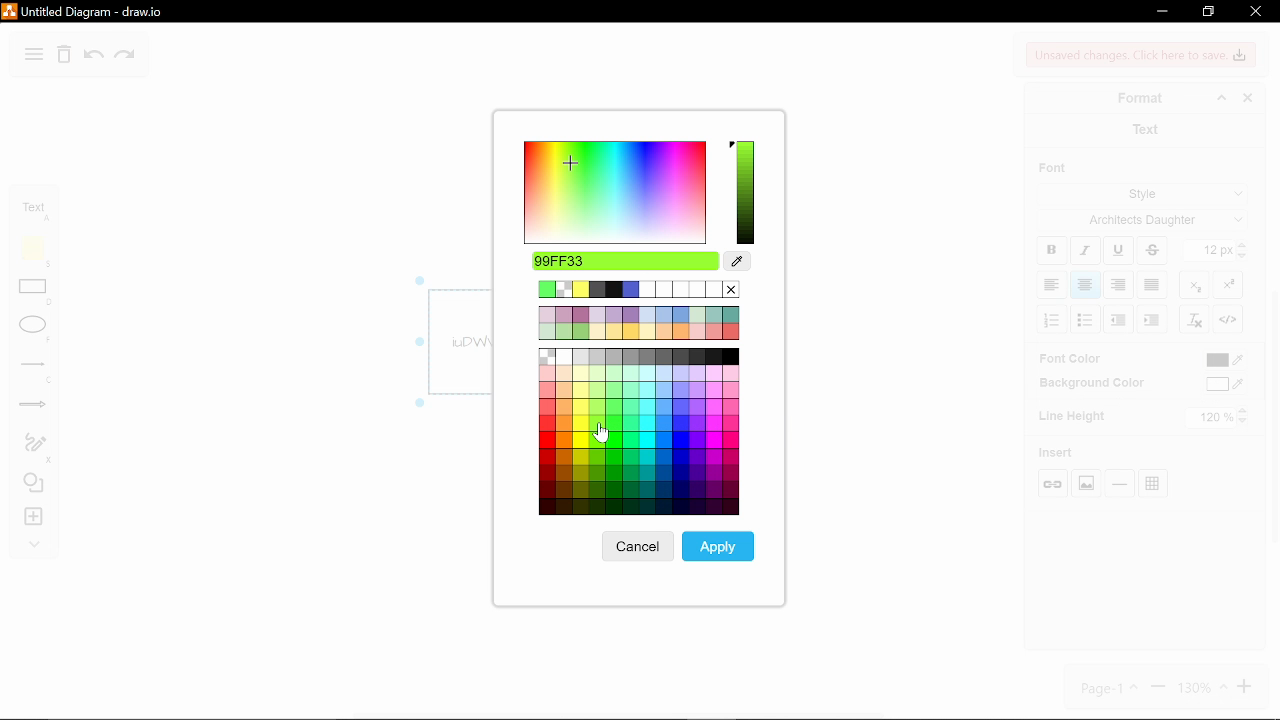 This screenshot has width=1280, height=720. I want to click on 130%, so click(1199, 690).